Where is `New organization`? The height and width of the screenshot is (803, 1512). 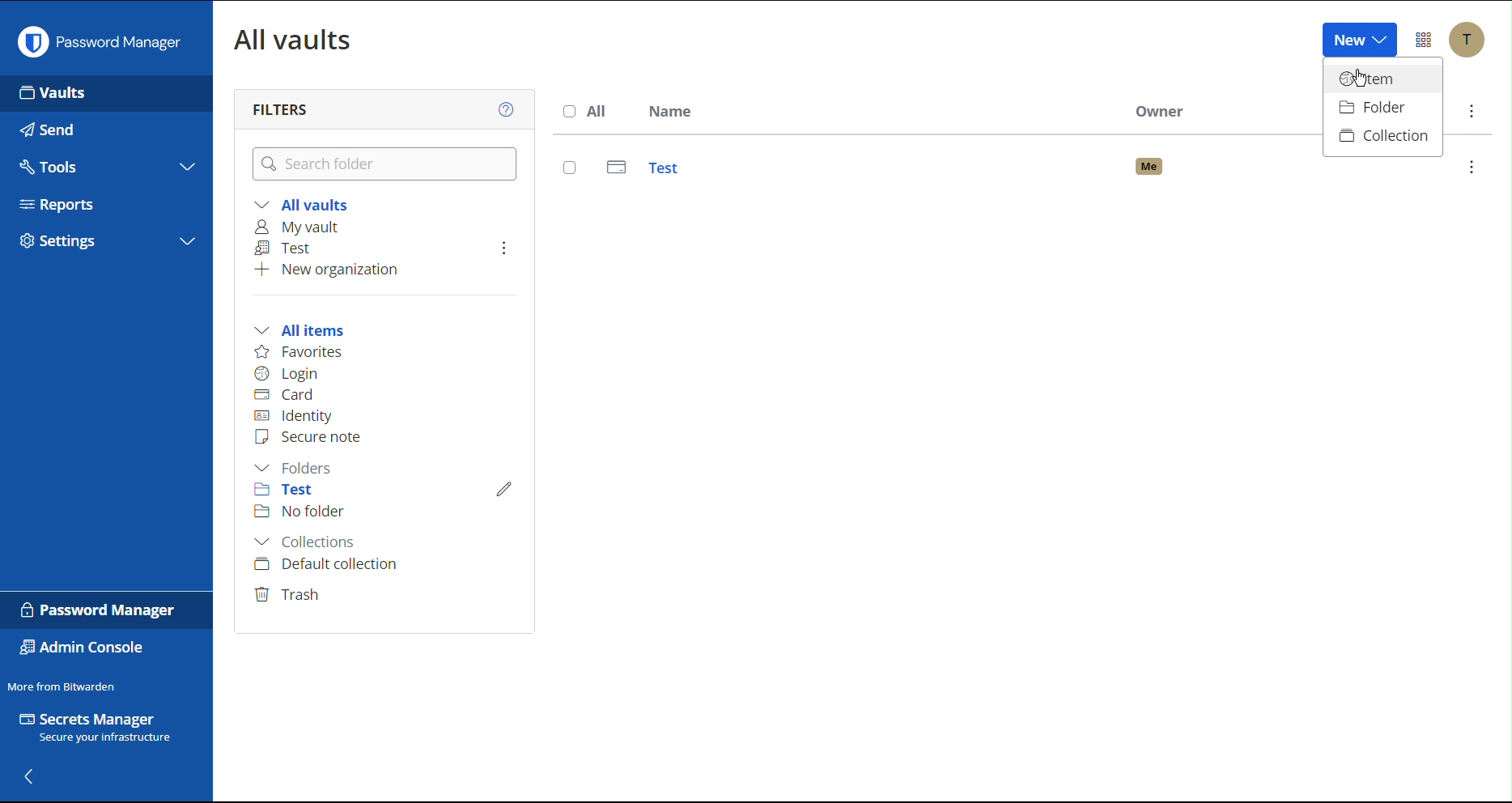
New organization is located at coordinates (323, 269).